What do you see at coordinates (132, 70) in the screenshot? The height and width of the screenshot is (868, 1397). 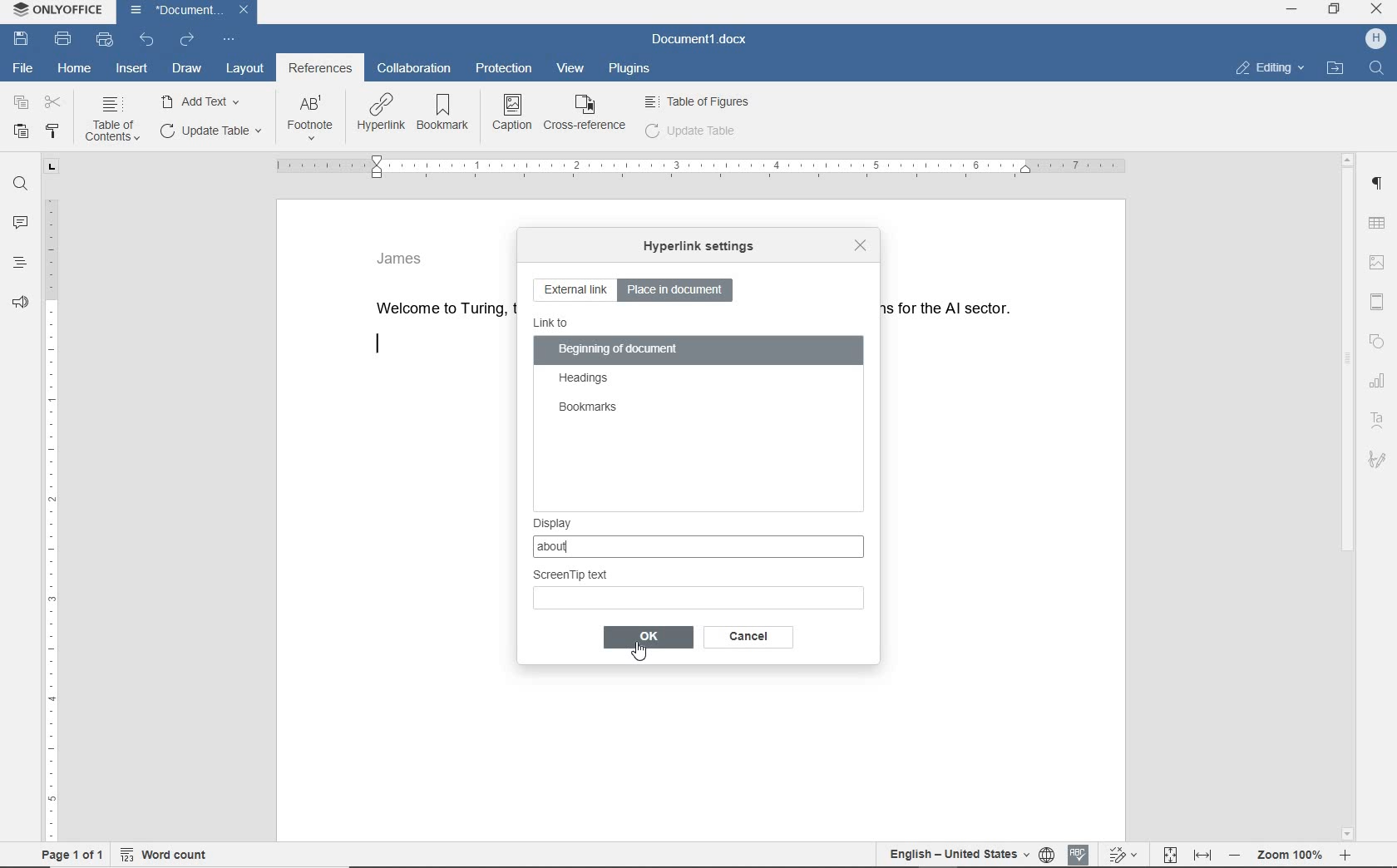 I see `insert` at bounding box center [132, 70].